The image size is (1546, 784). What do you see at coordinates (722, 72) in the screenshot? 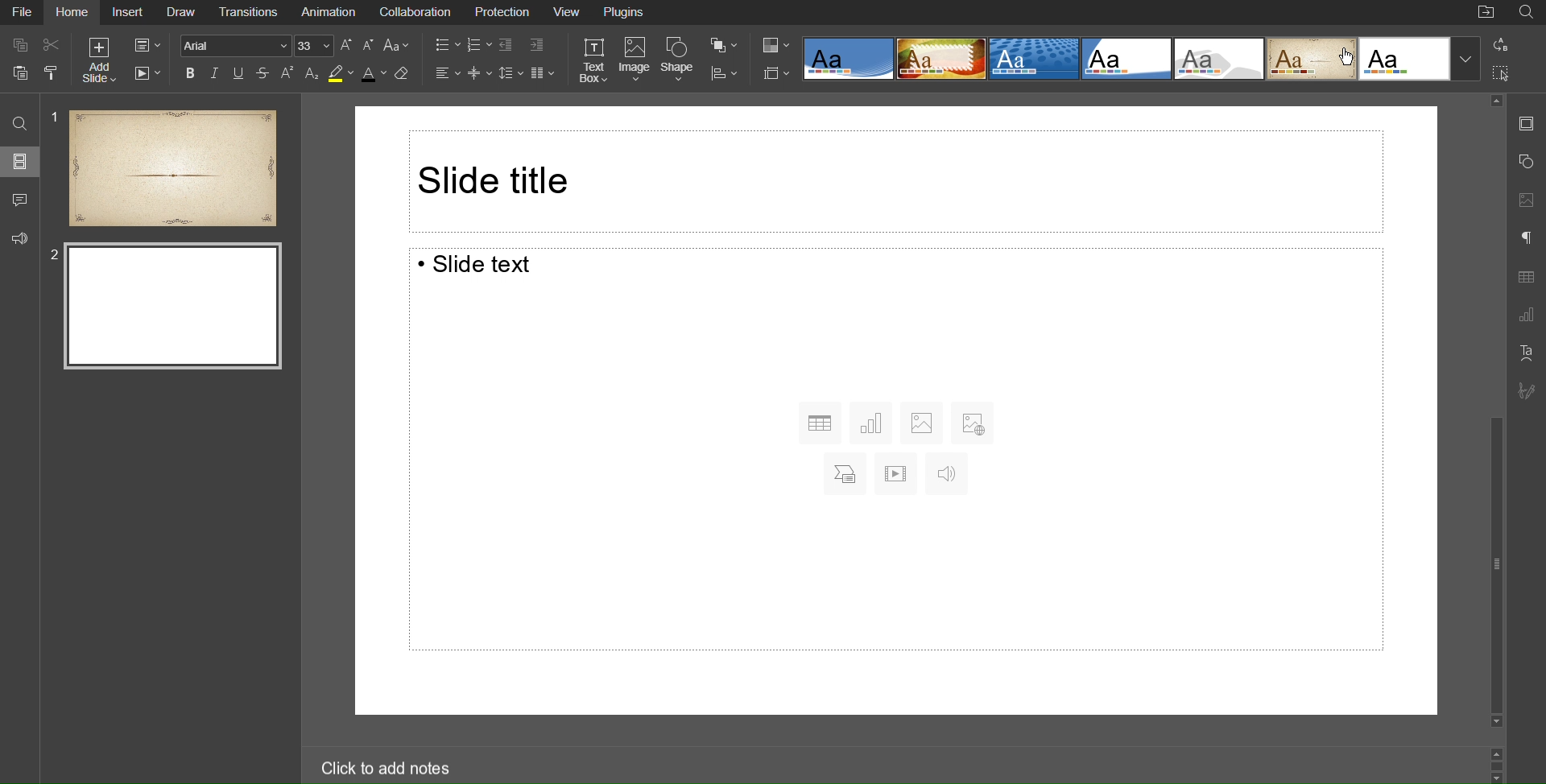
I see `Distribute` at bounding box center [722, 72].